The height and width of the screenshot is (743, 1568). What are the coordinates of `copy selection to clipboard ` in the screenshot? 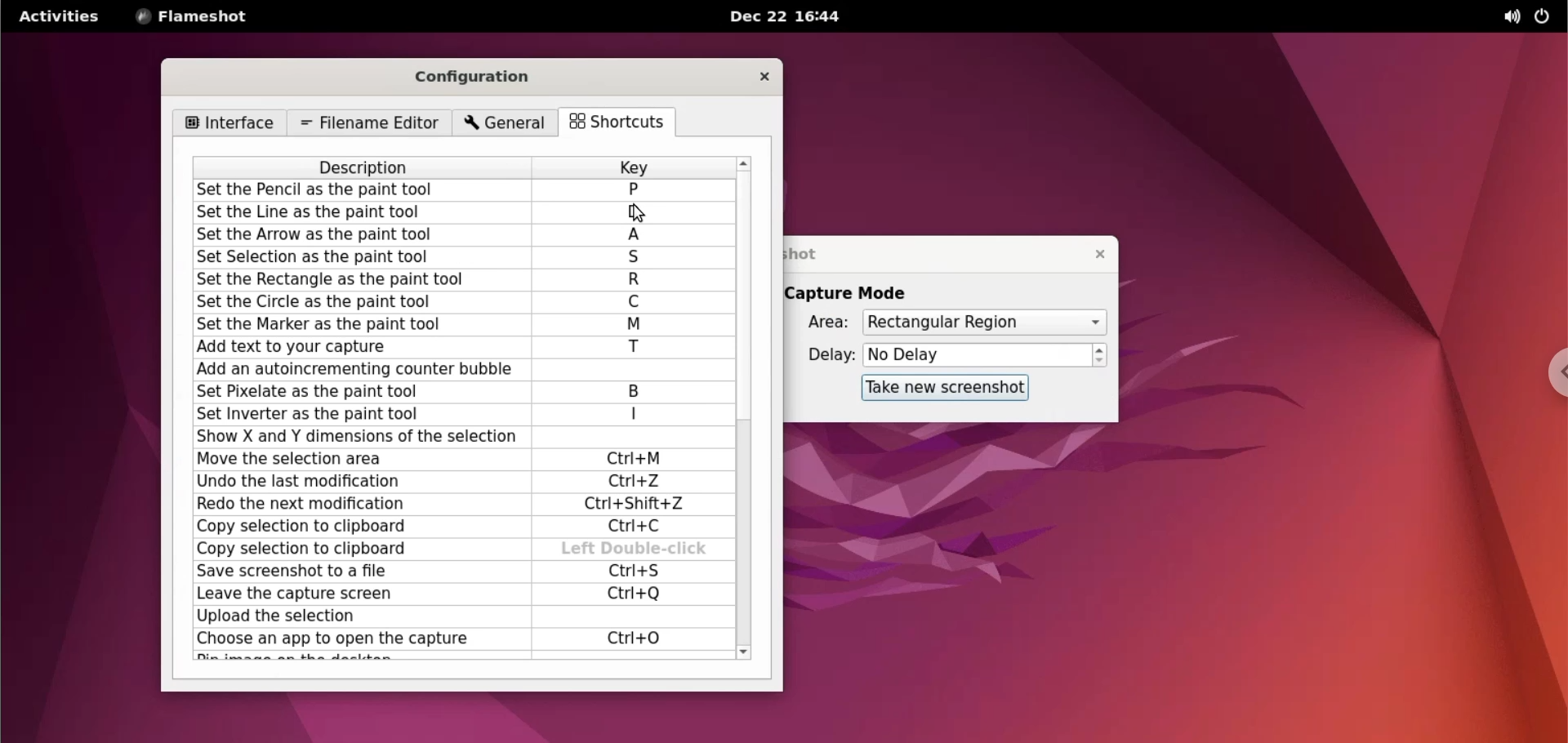 It's located at (355, 529).